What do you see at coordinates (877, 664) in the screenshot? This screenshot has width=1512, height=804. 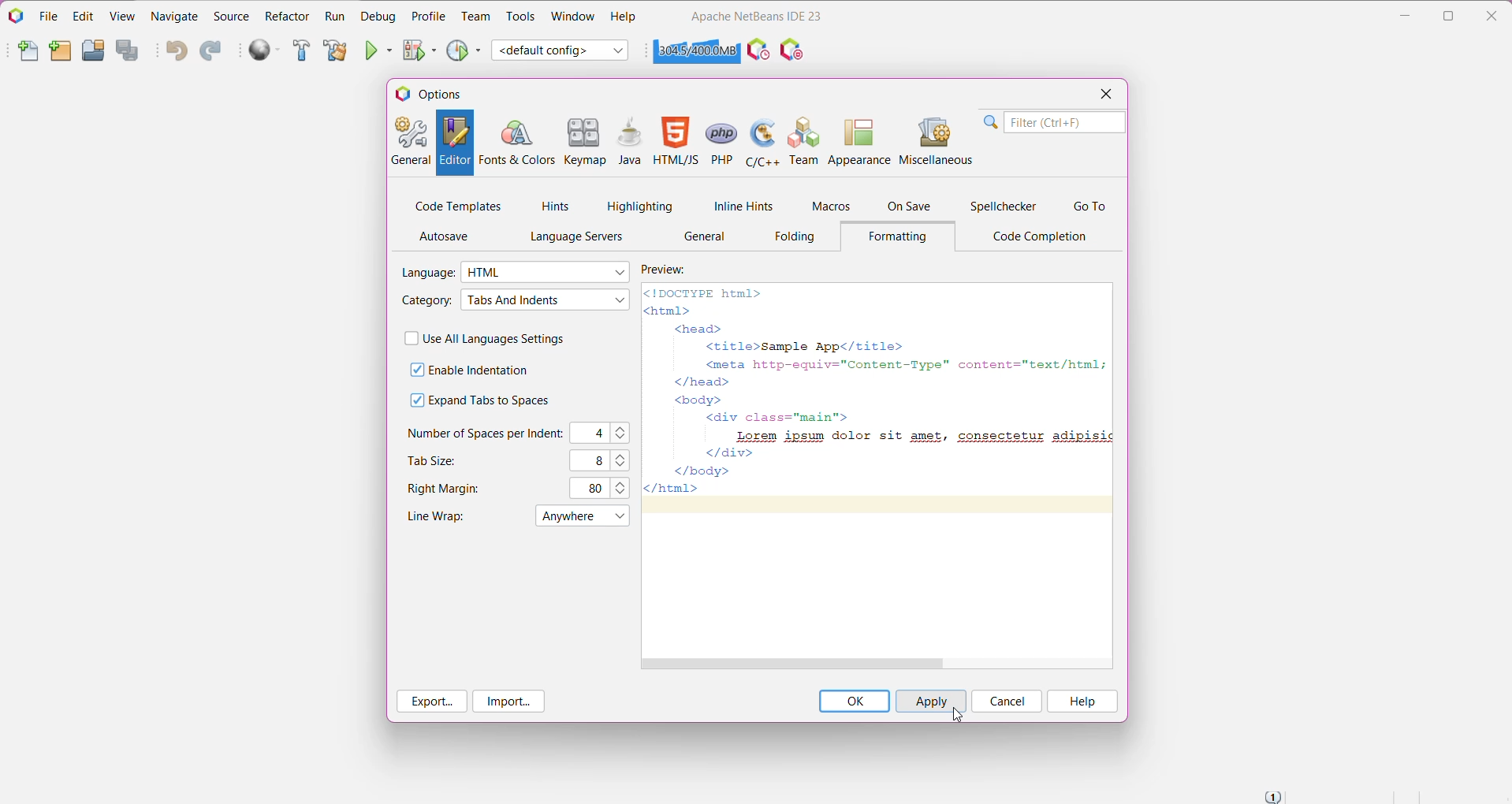 I see `Horizontal Scroll Bar` at bounding box center [877, 664].